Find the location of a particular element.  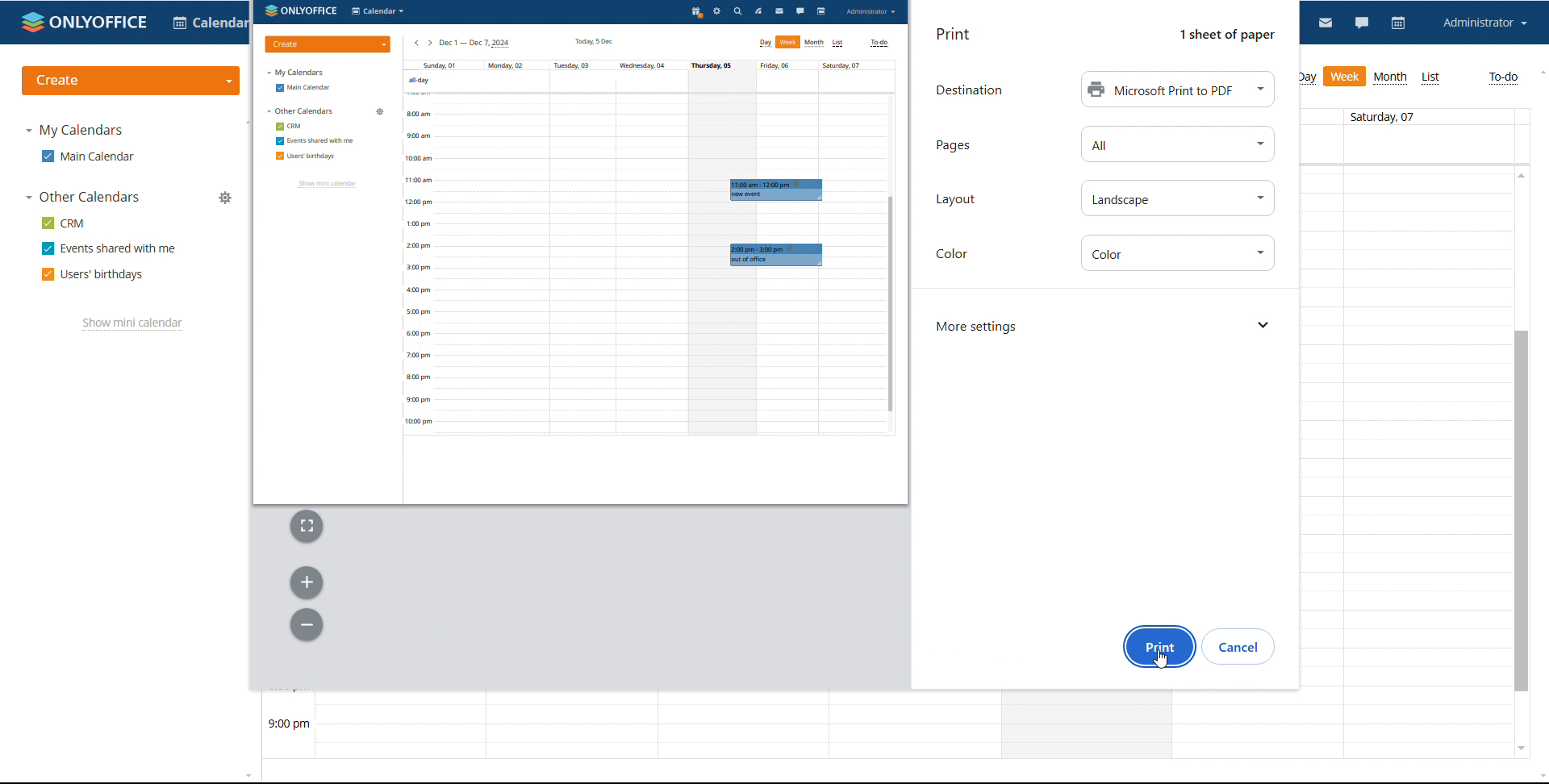

events shared with me is located at coordinates (110, 248).